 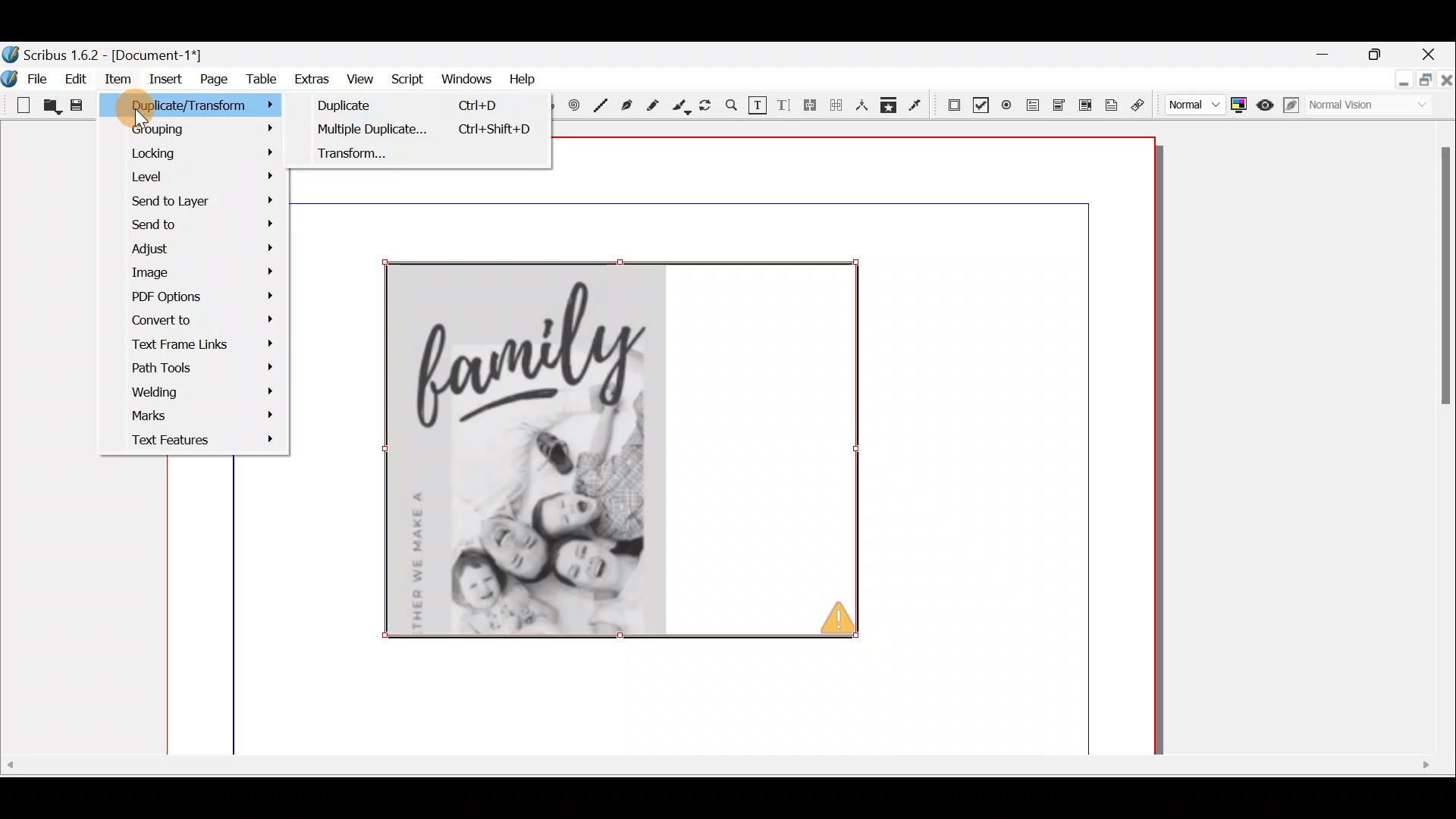 What do you see at coordinates (1267, 104) in the screenshot?
I see `Preview mode` at bounding box center [1267, 104].